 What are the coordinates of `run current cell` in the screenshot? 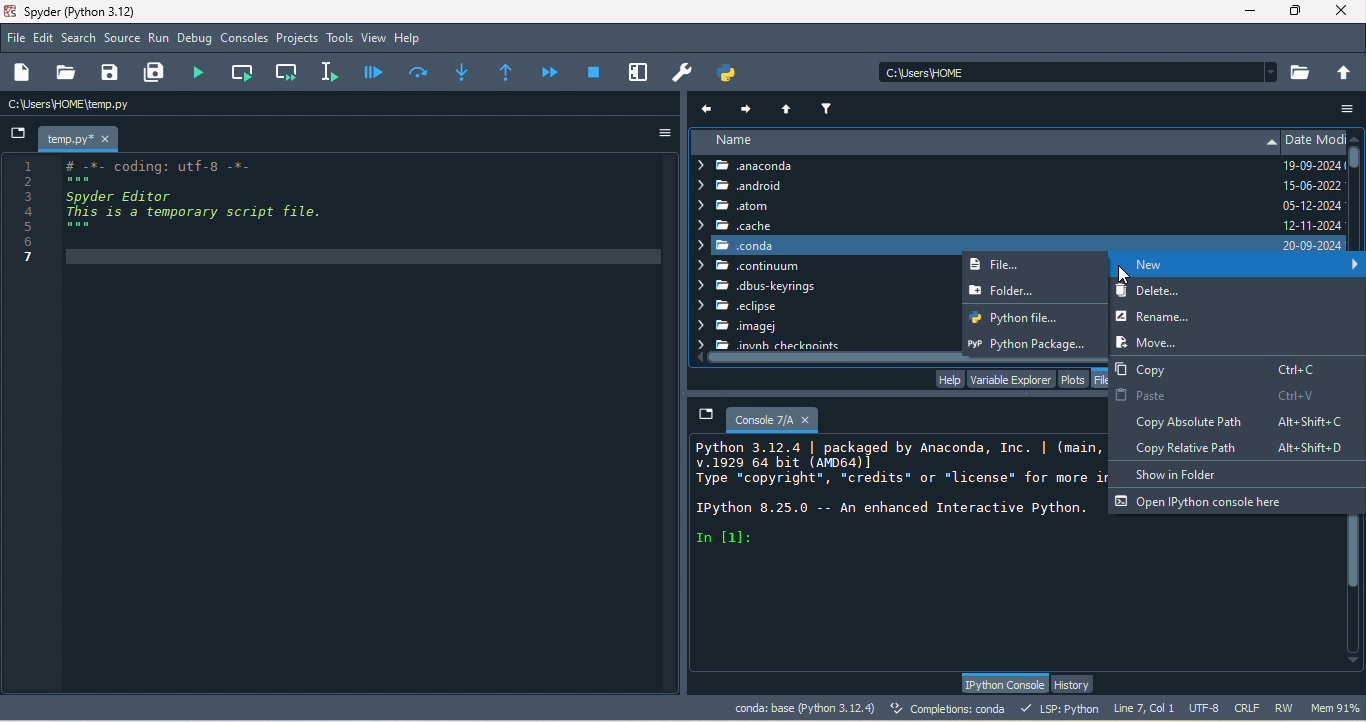 It's located at (245, 72).